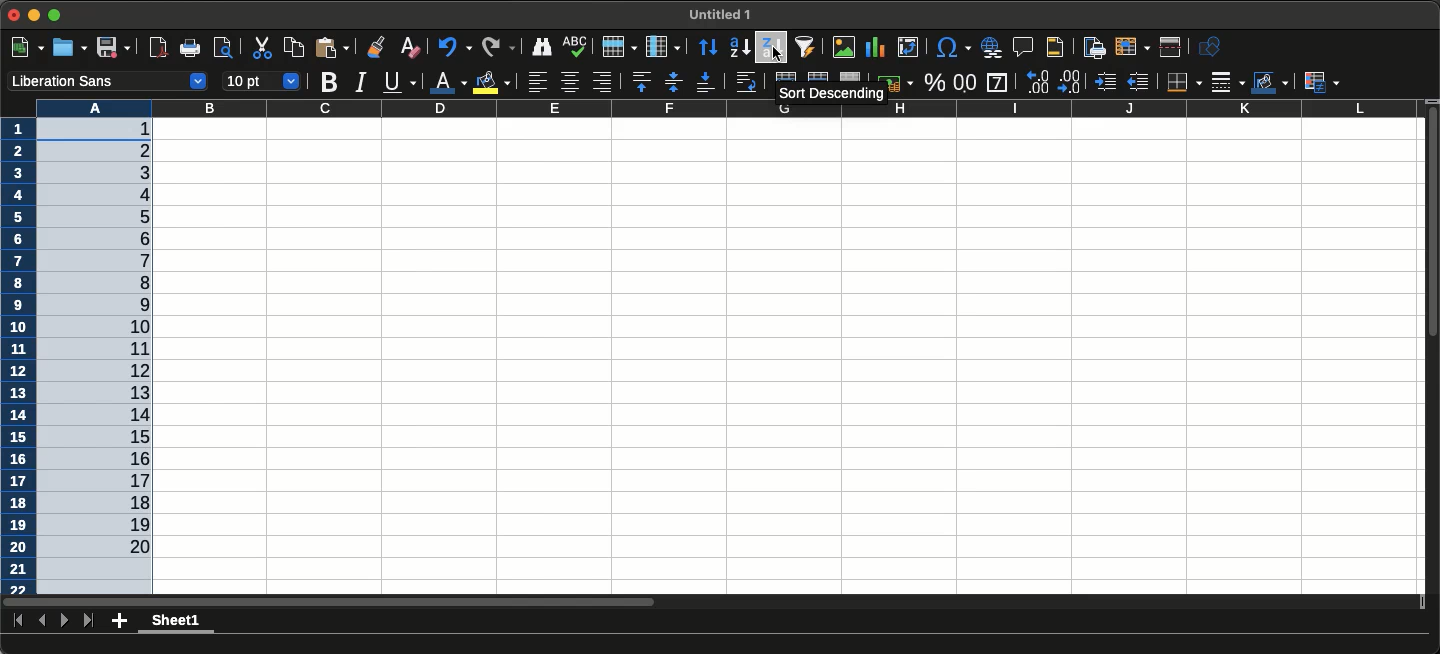 This screenshot has width=1440, height=654. I want to click on Align top, so click(639, 81).